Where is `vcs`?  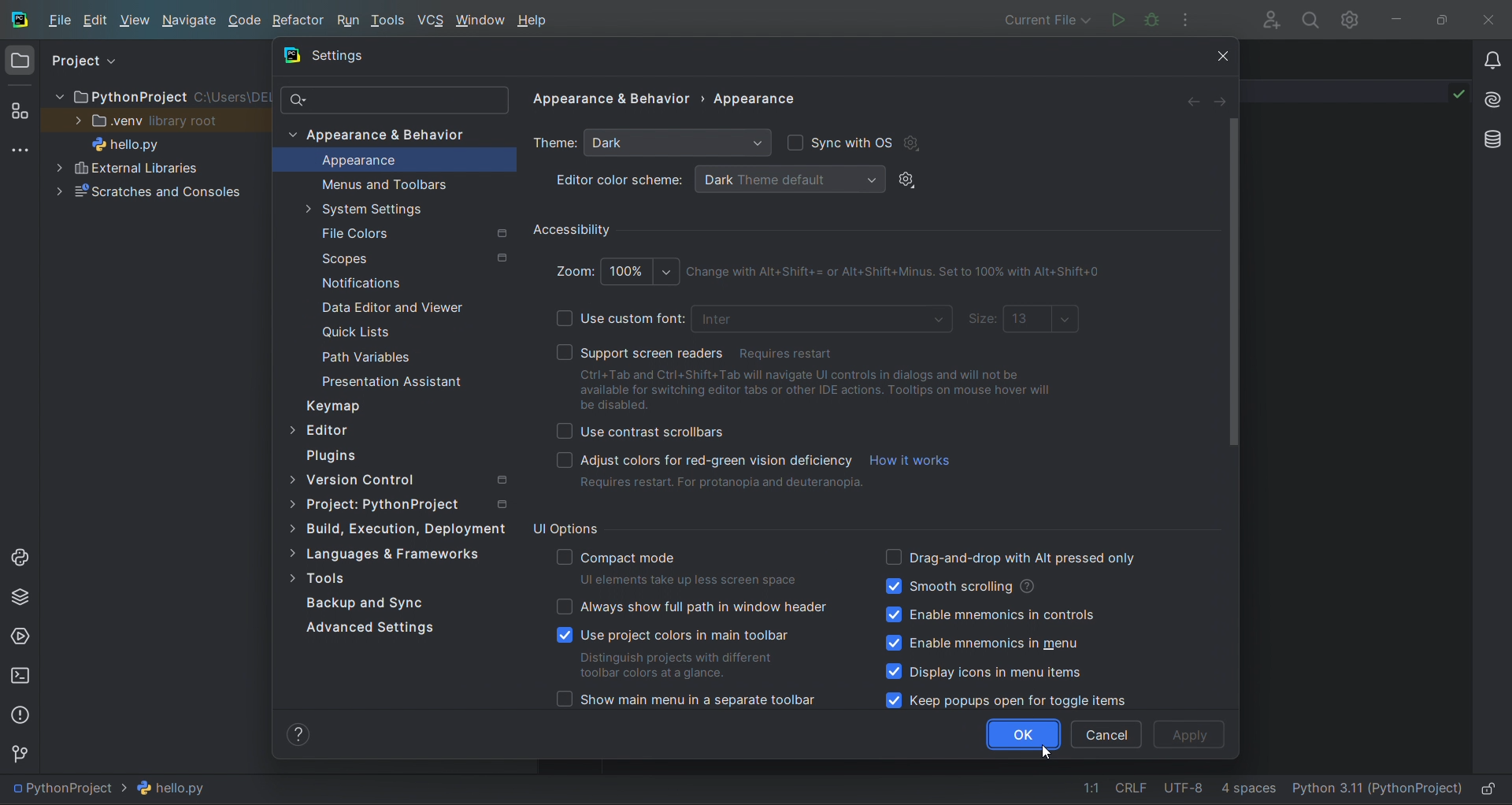
vcs is located at coordinates (429, 19).